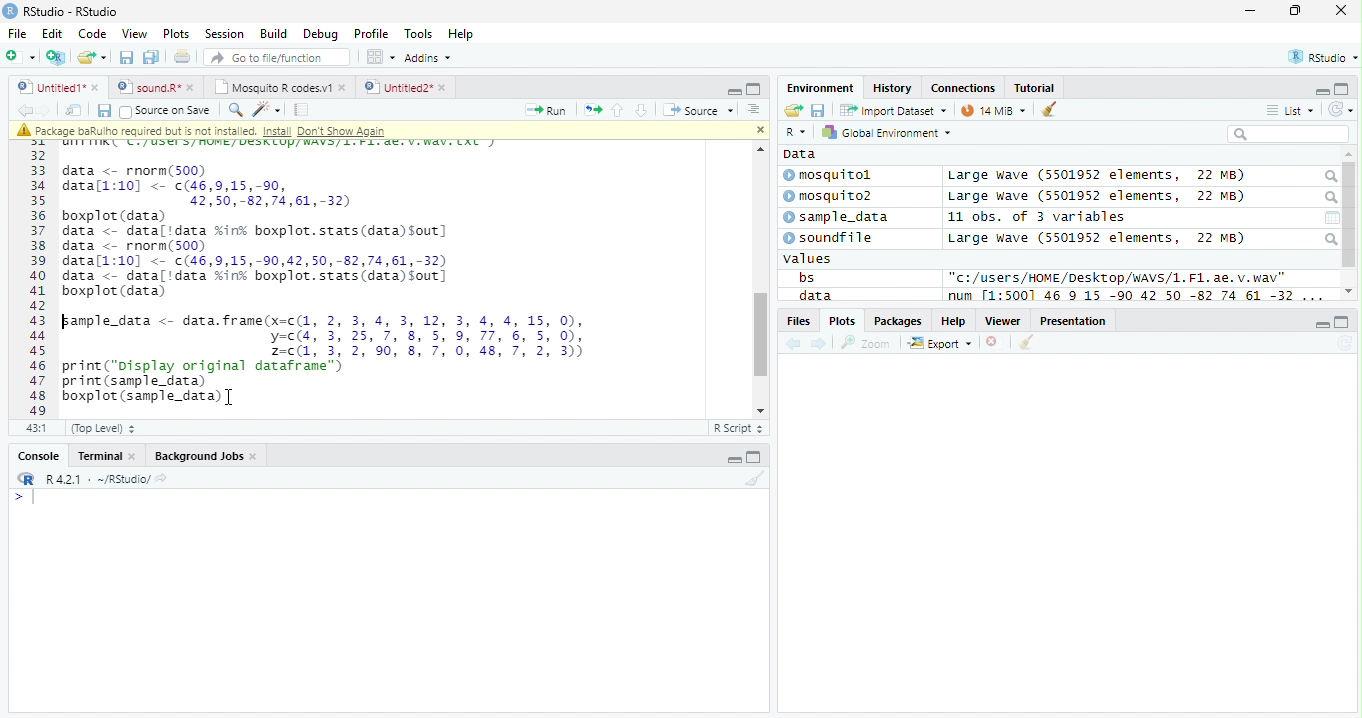 The height and width of the screenshot is (718, 1362). I want to click on Packages, so click(899, 321).